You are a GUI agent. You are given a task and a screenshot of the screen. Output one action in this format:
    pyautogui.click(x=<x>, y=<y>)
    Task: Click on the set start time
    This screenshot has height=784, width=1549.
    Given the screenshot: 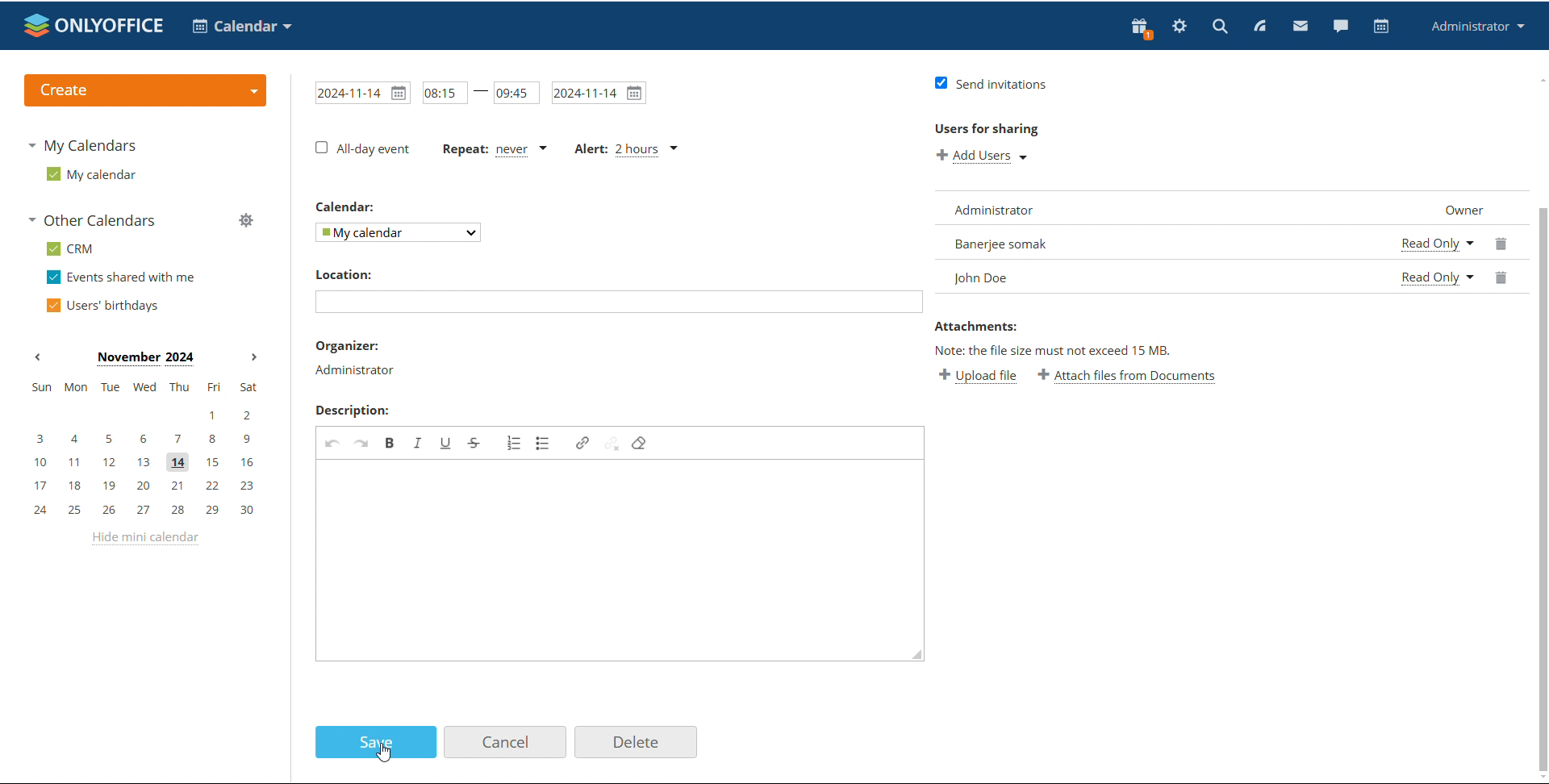 What is the action you would take?
    pyautogui.click(x=445, y=94)
    